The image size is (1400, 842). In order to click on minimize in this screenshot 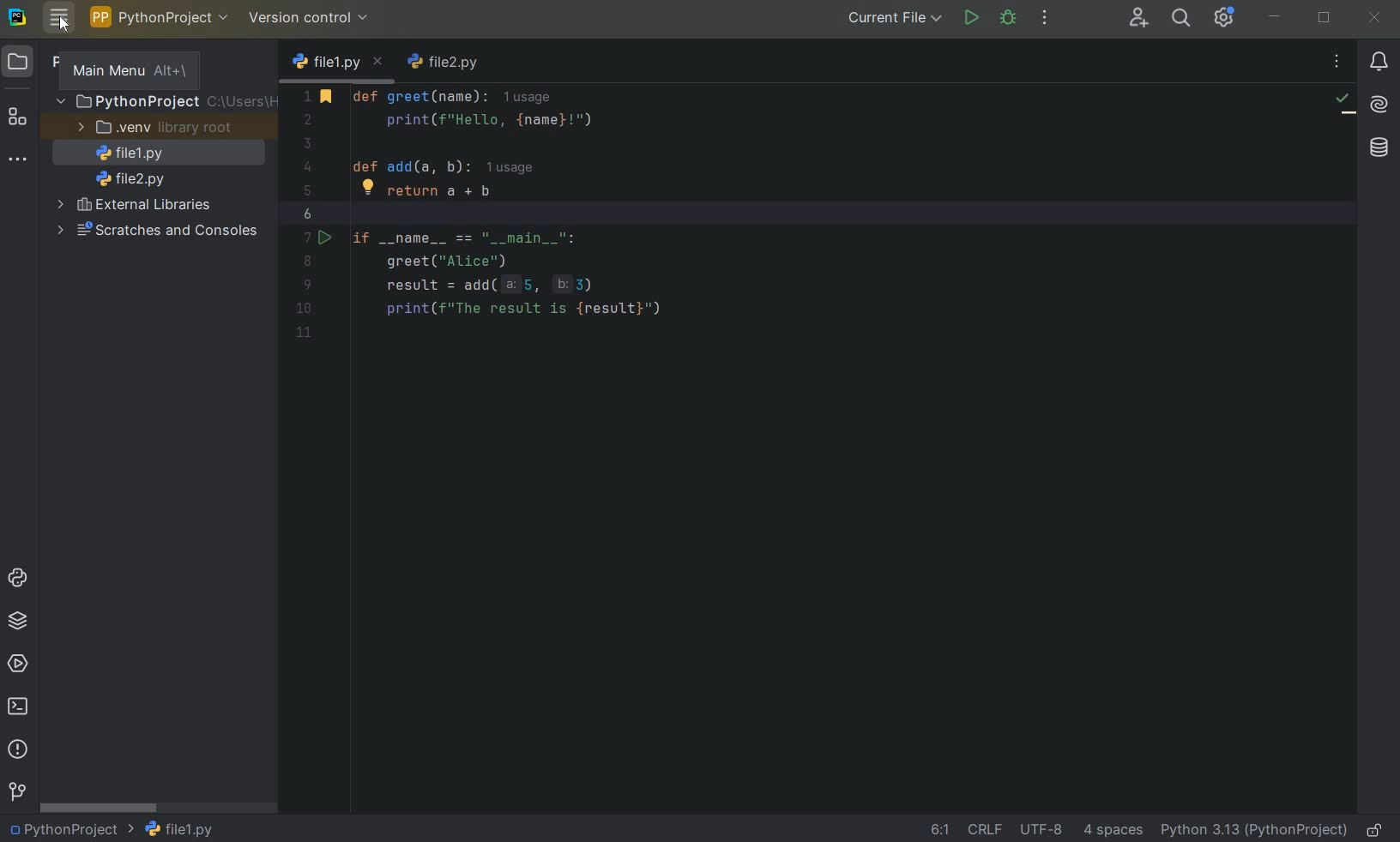, I will do `click(1275, 18)`.